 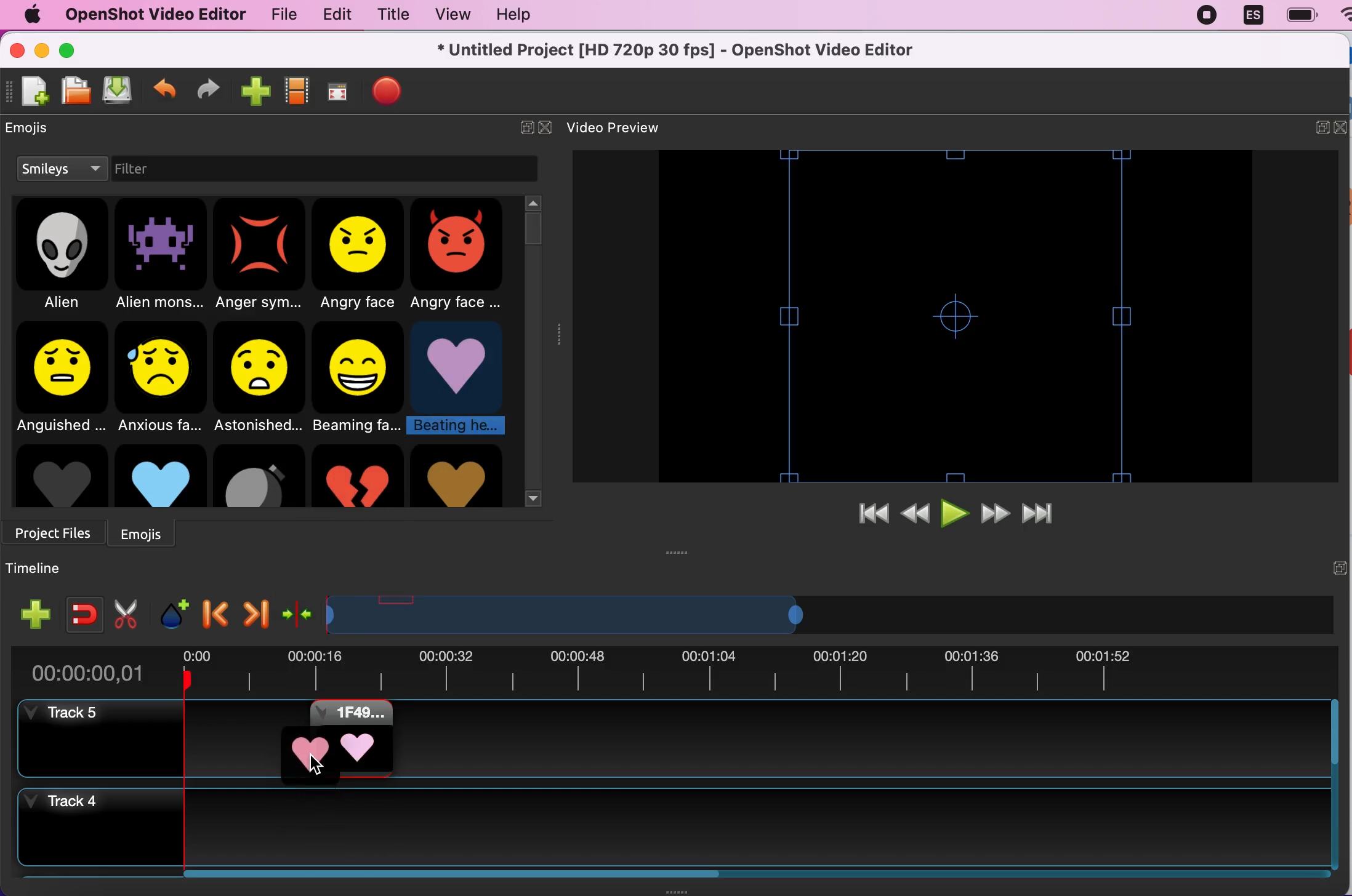 I want to click on jump to start, so click(x=874, y=514).